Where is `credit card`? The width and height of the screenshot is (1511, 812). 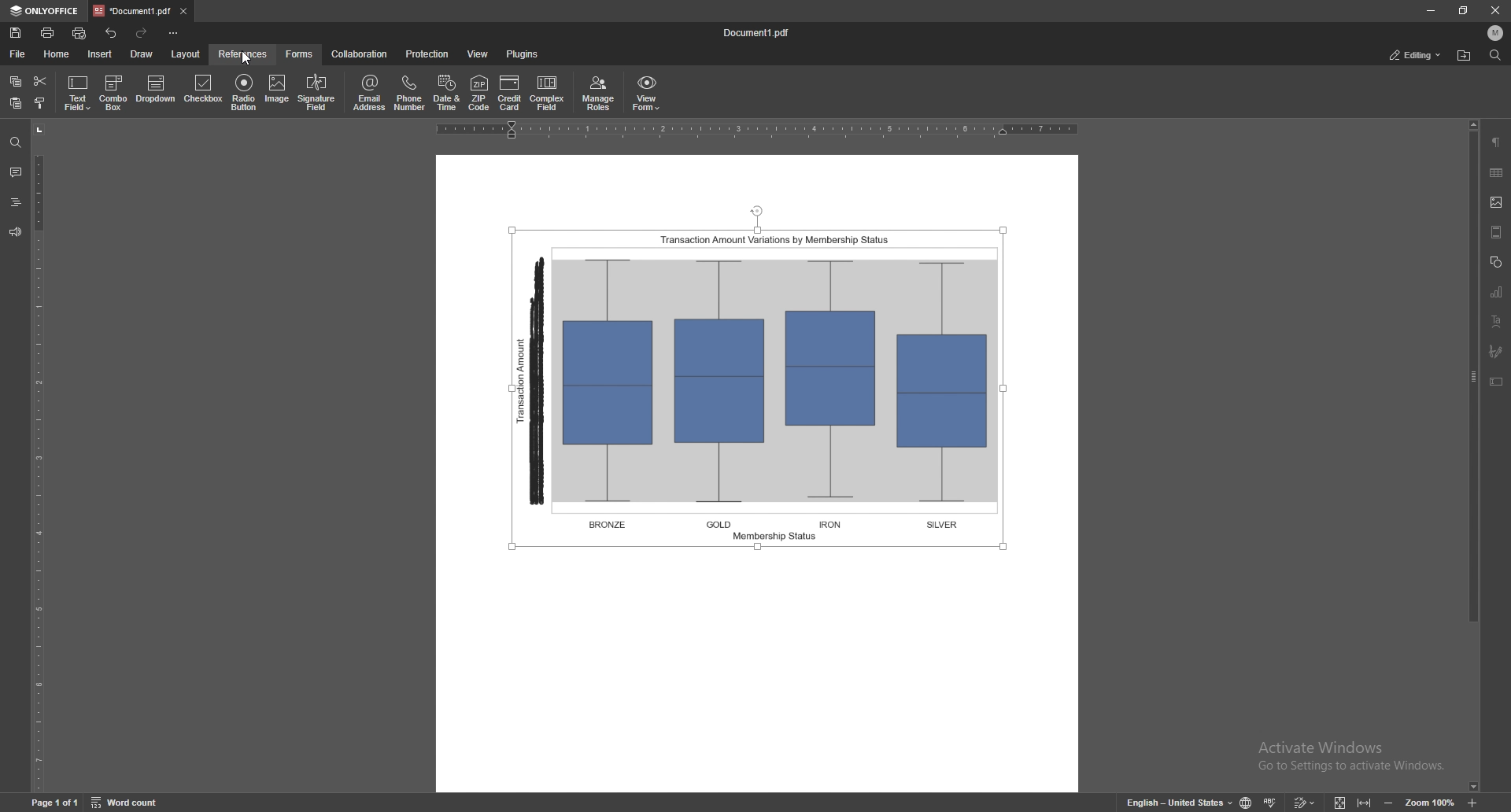 credit card is located at coordinates (508, 93).